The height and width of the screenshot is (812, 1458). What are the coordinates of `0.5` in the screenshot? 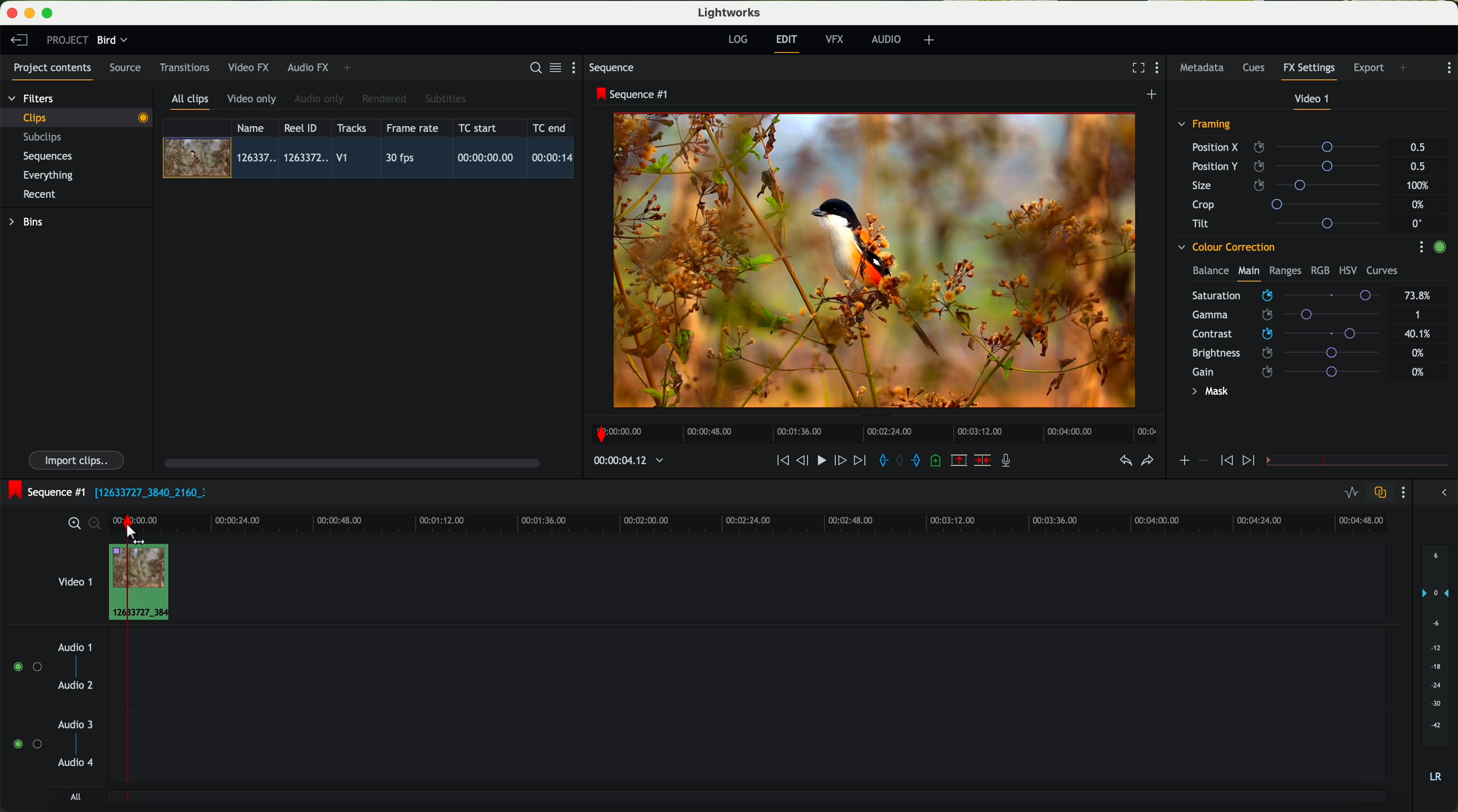 It's located at (1418, 148).